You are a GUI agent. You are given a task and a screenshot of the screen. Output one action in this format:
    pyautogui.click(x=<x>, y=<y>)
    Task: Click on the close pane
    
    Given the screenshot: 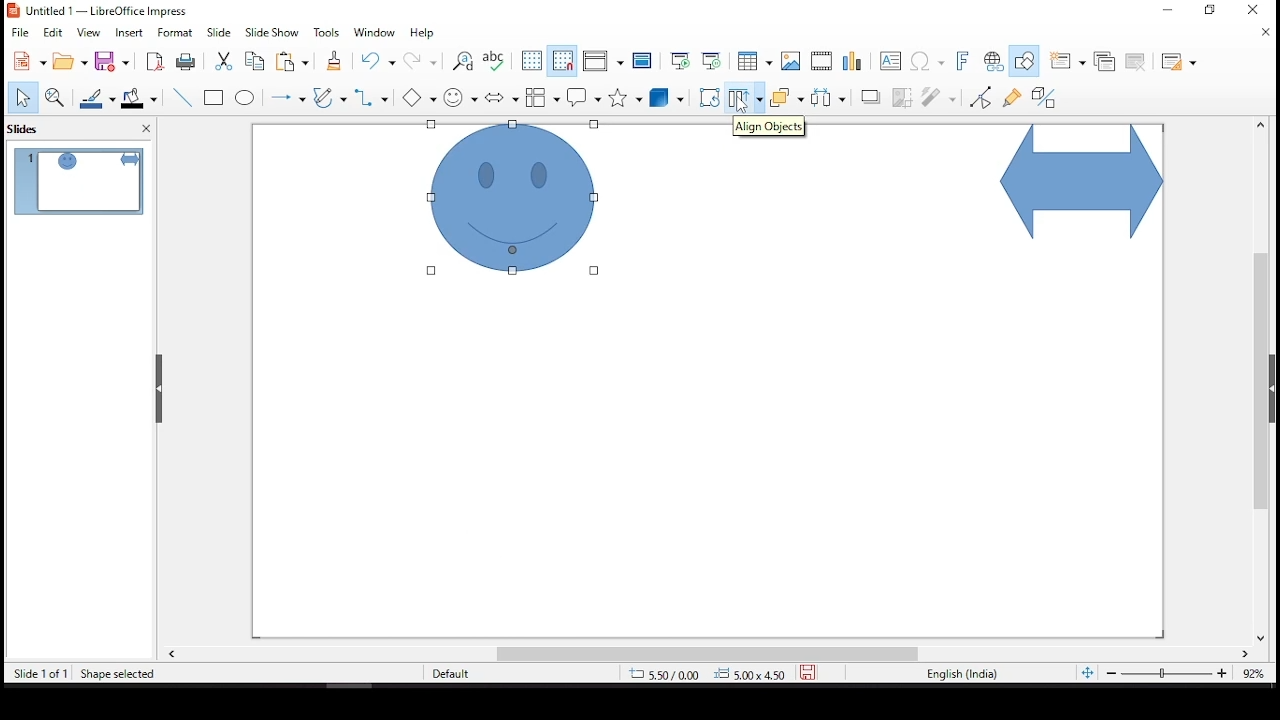 What is the action you would take?
    pyautogui.click(x=143, y=131)
    